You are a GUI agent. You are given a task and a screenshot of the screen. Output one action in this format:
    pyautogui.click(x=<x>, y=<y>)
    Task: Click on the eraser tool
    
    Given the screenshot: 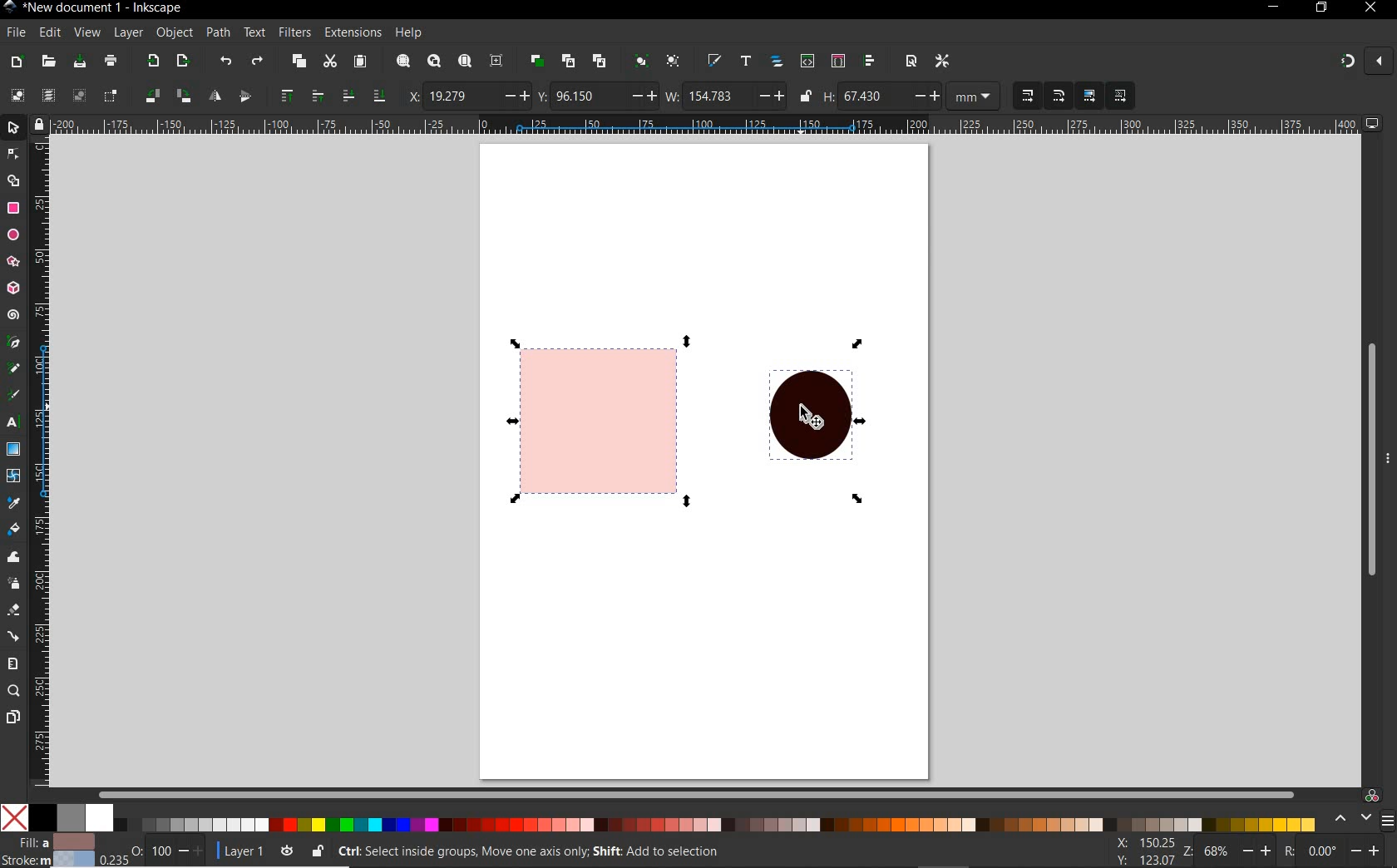 What is the action you would take?
    pyautogui.click(x=12, y=611)
    